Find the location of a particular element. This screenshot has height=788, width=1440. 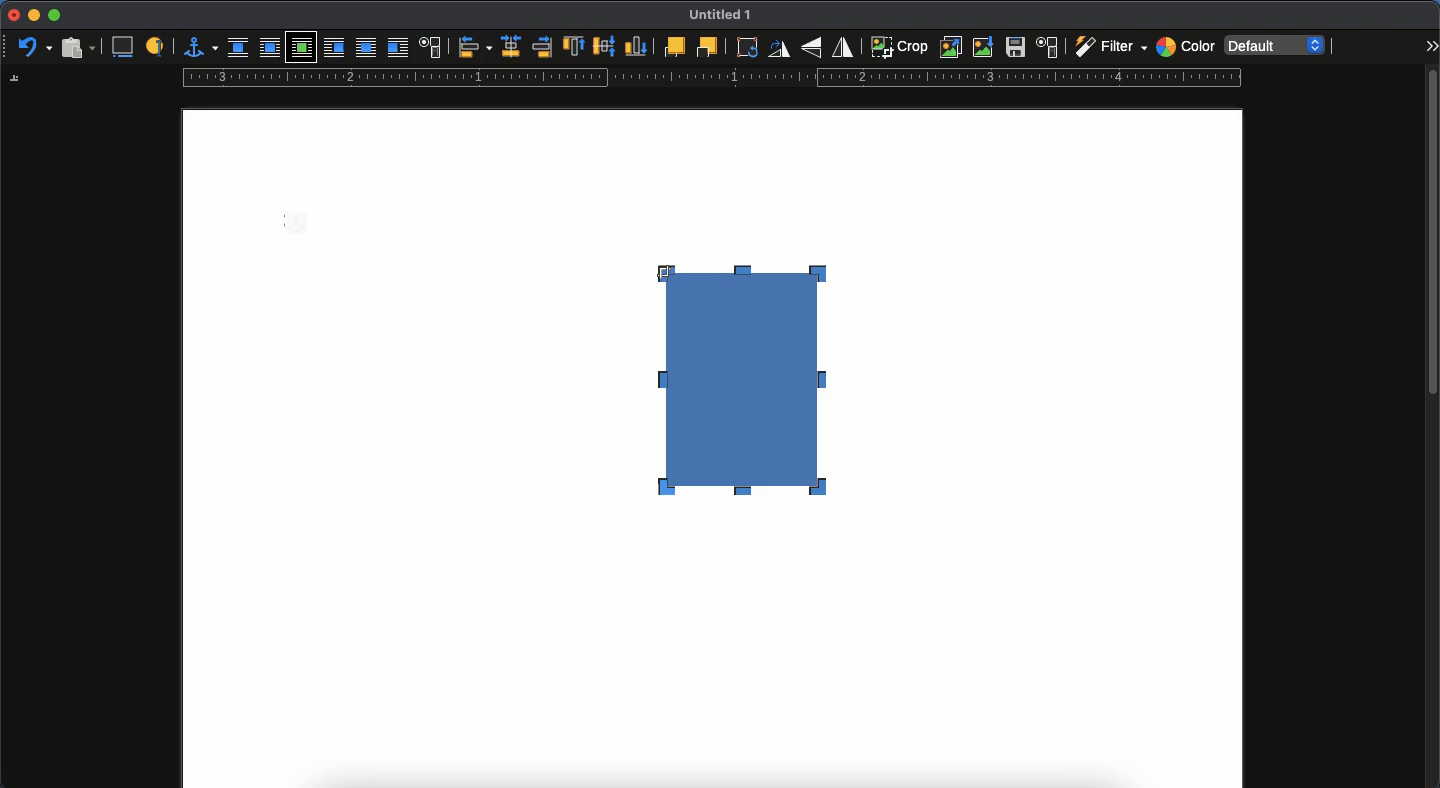

paste is located at coordinates (77, 46).